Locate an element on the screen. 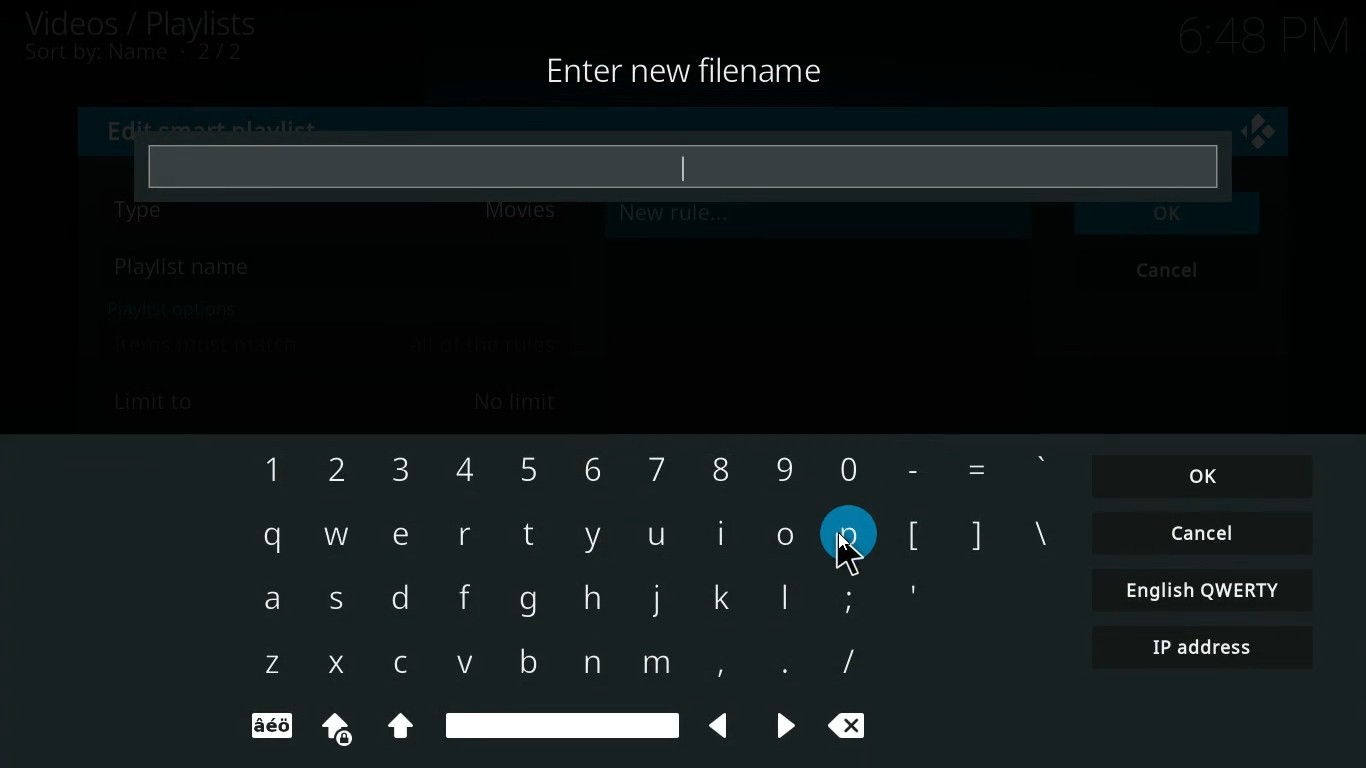  ok is located at coordinates (1171, 224).